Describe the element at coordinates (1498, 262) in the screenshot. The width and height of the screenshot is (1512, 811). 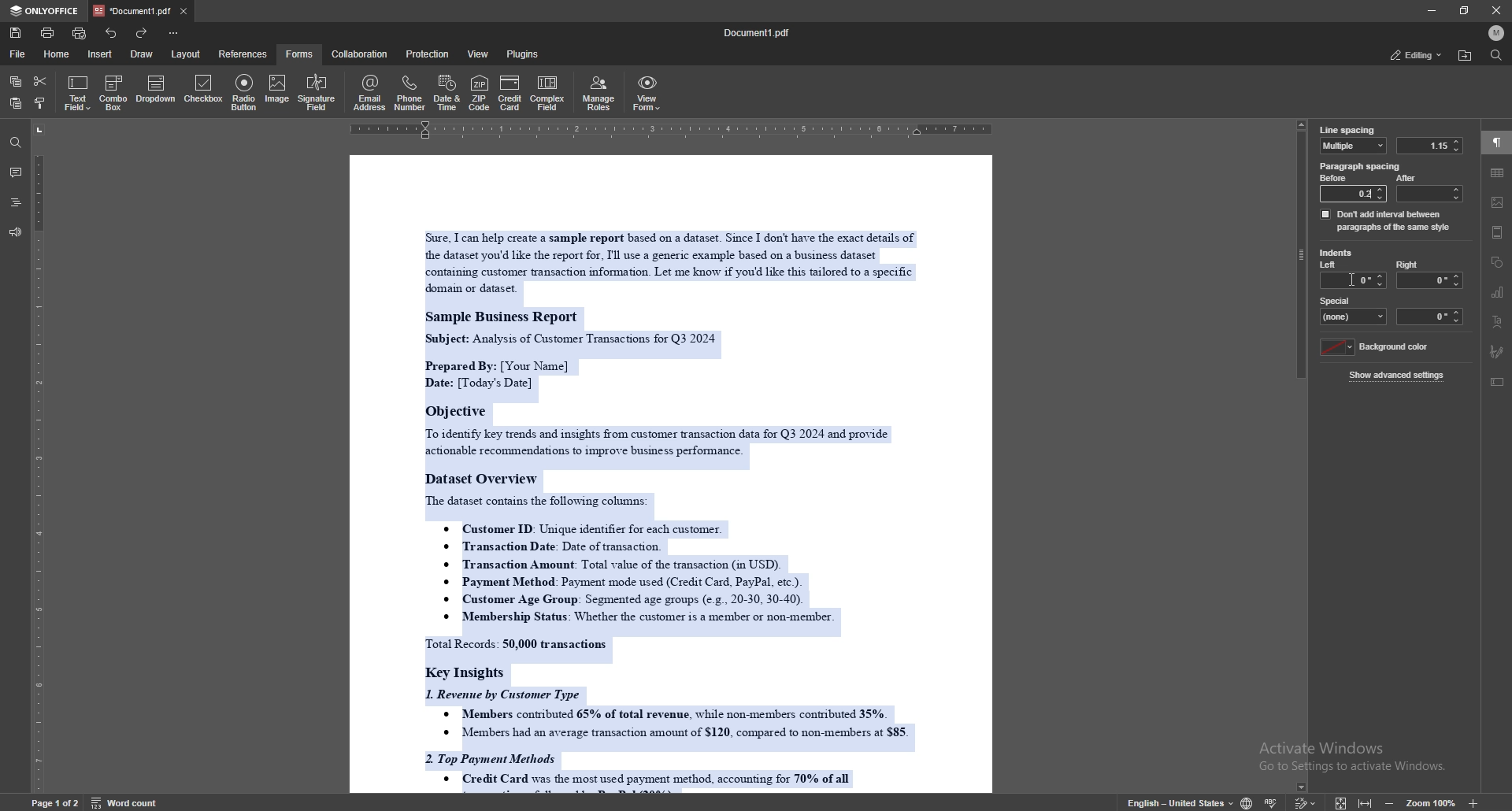
I see `shapes` at that location.